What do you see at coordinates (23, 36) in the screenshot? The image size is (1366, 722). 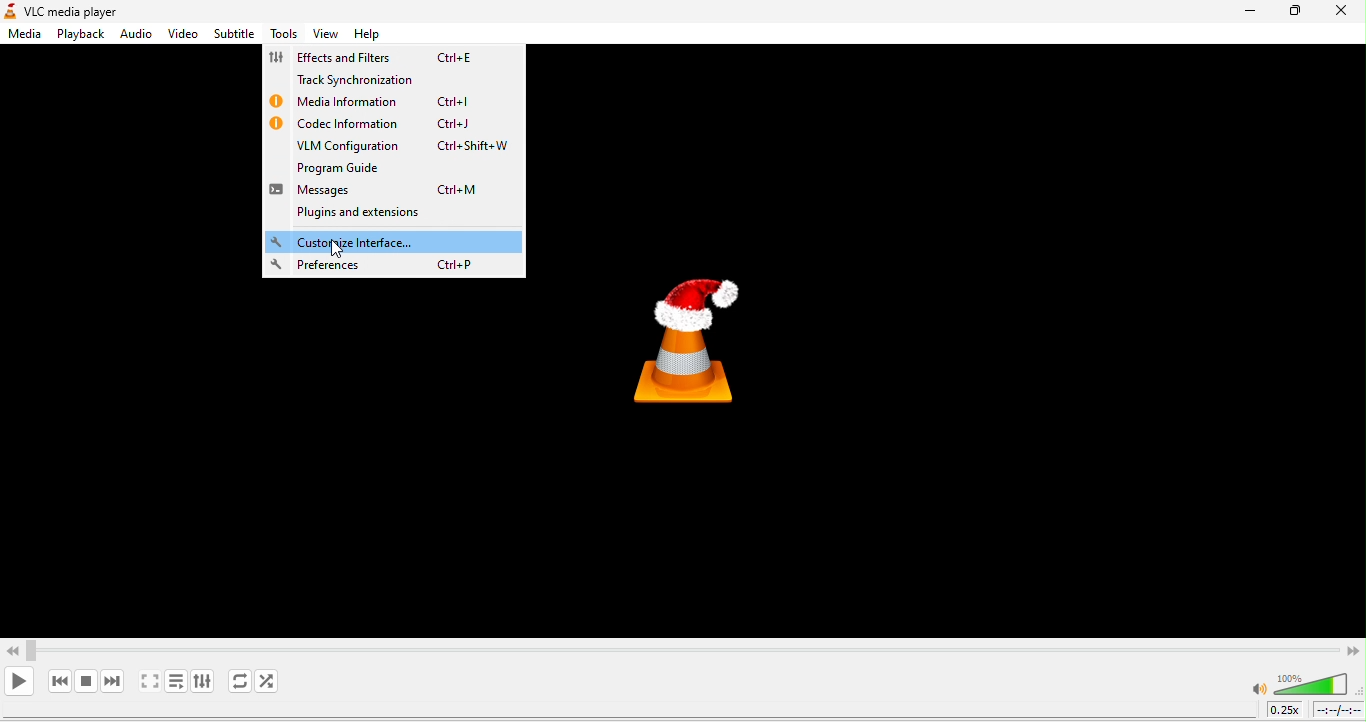 I see `media` at bounding box center [23, 36].